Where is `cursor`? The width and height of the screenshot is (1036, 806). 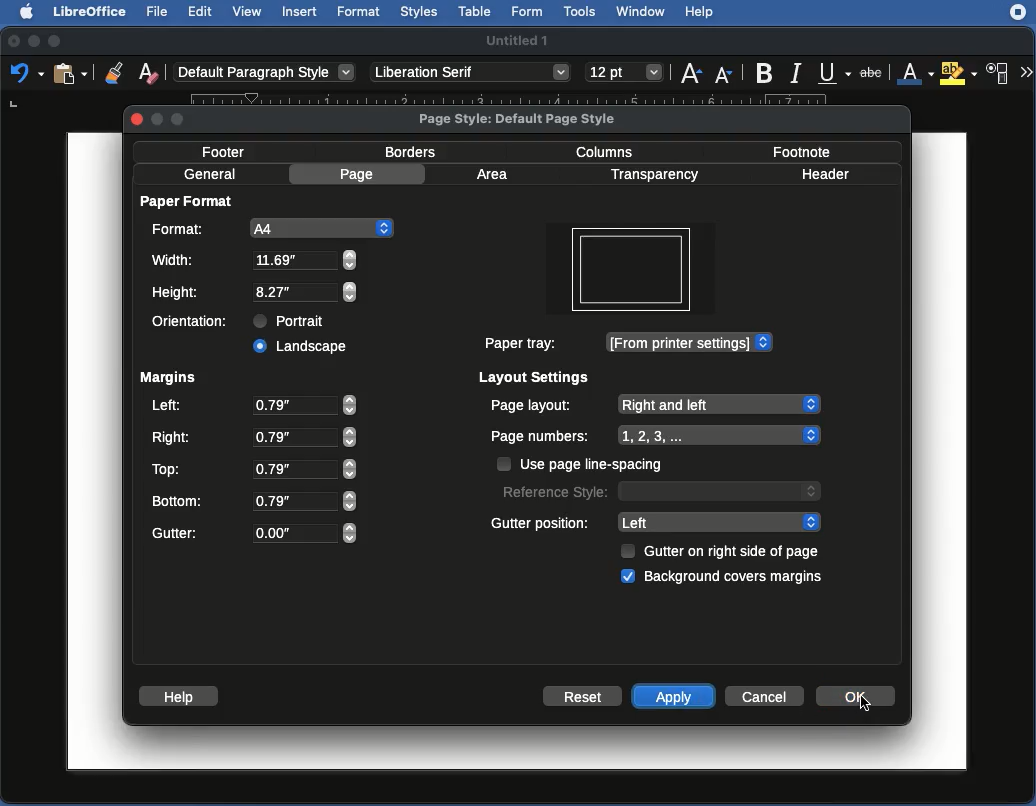 cursor is located at coordinates (865, 704).